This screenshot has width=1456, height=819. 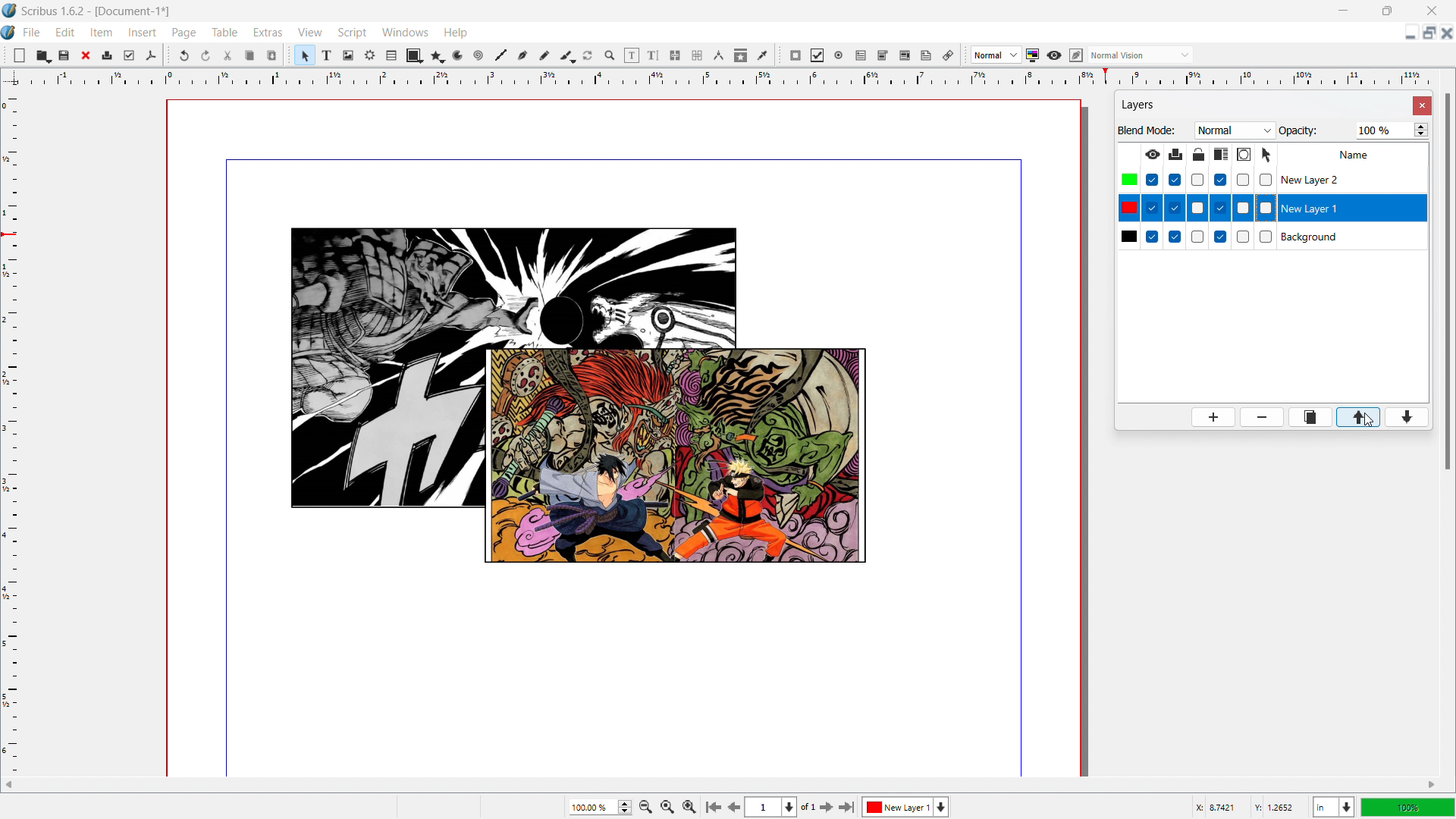 I want to click on horizontal ruler, so click(x=727, y=77).